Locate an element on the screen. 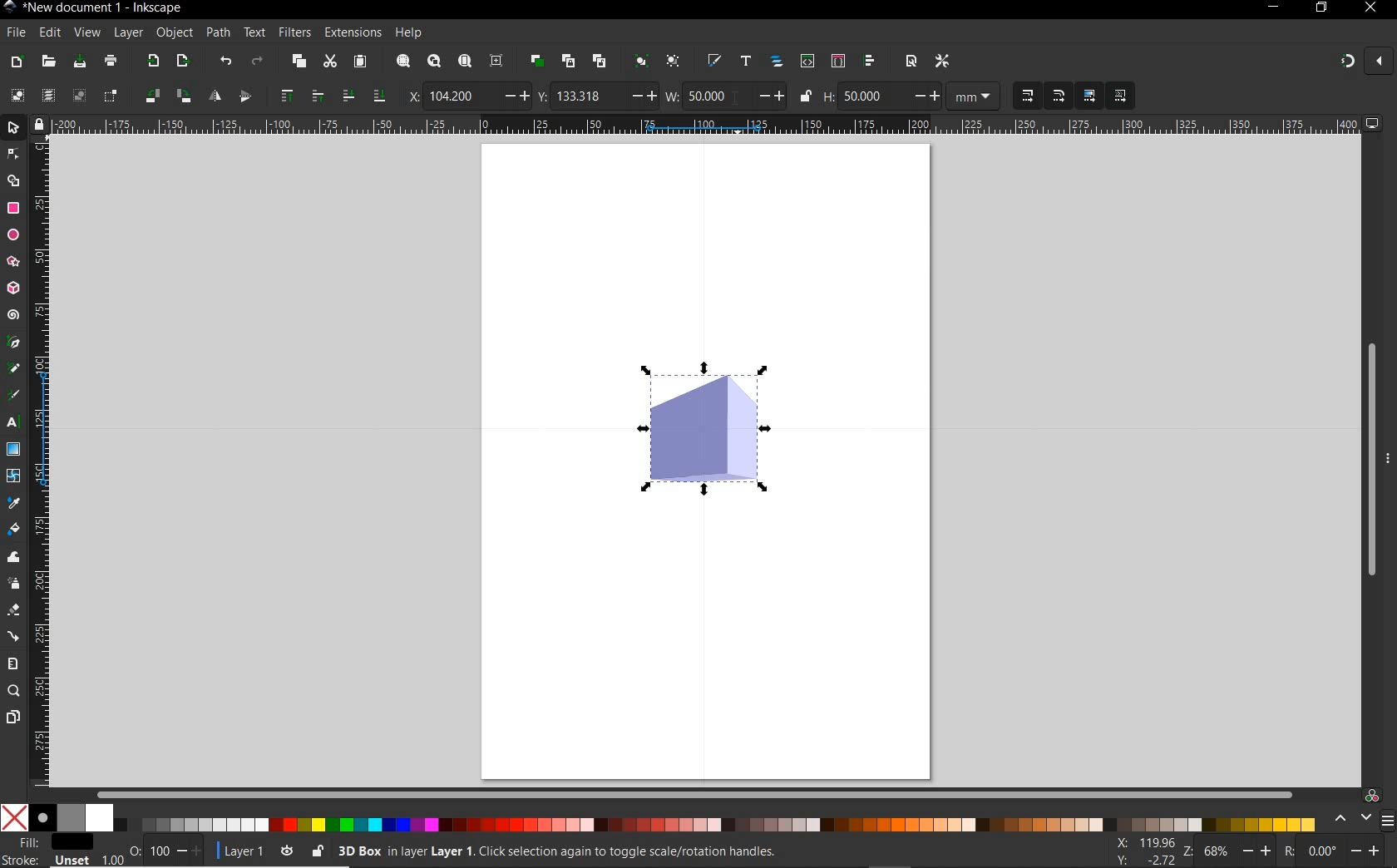 The image size is (1397, 868). toggle selection box is located at coordinates (111, 95).